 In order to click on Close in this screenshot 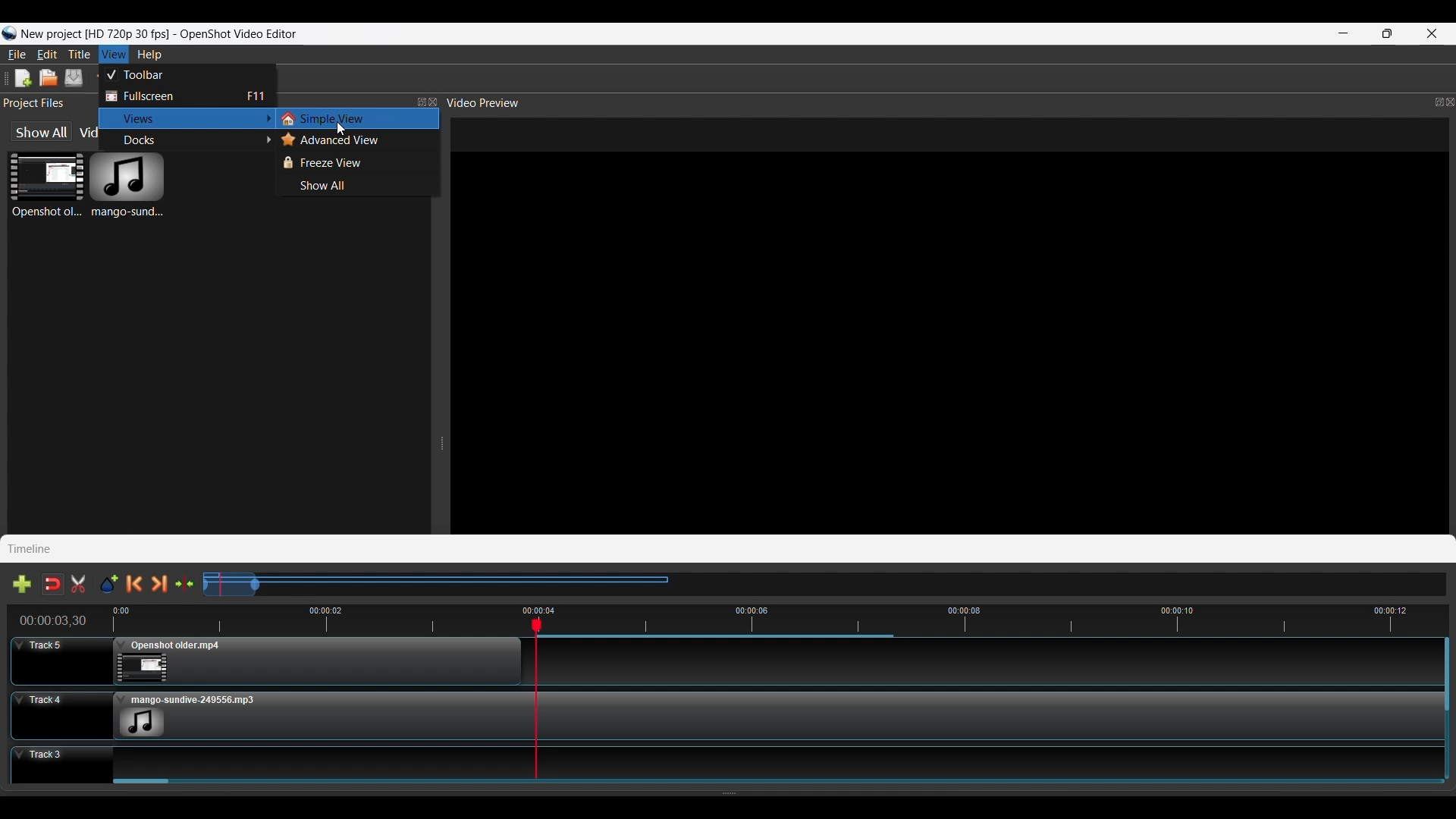, I will do `click(1432, 33)`.